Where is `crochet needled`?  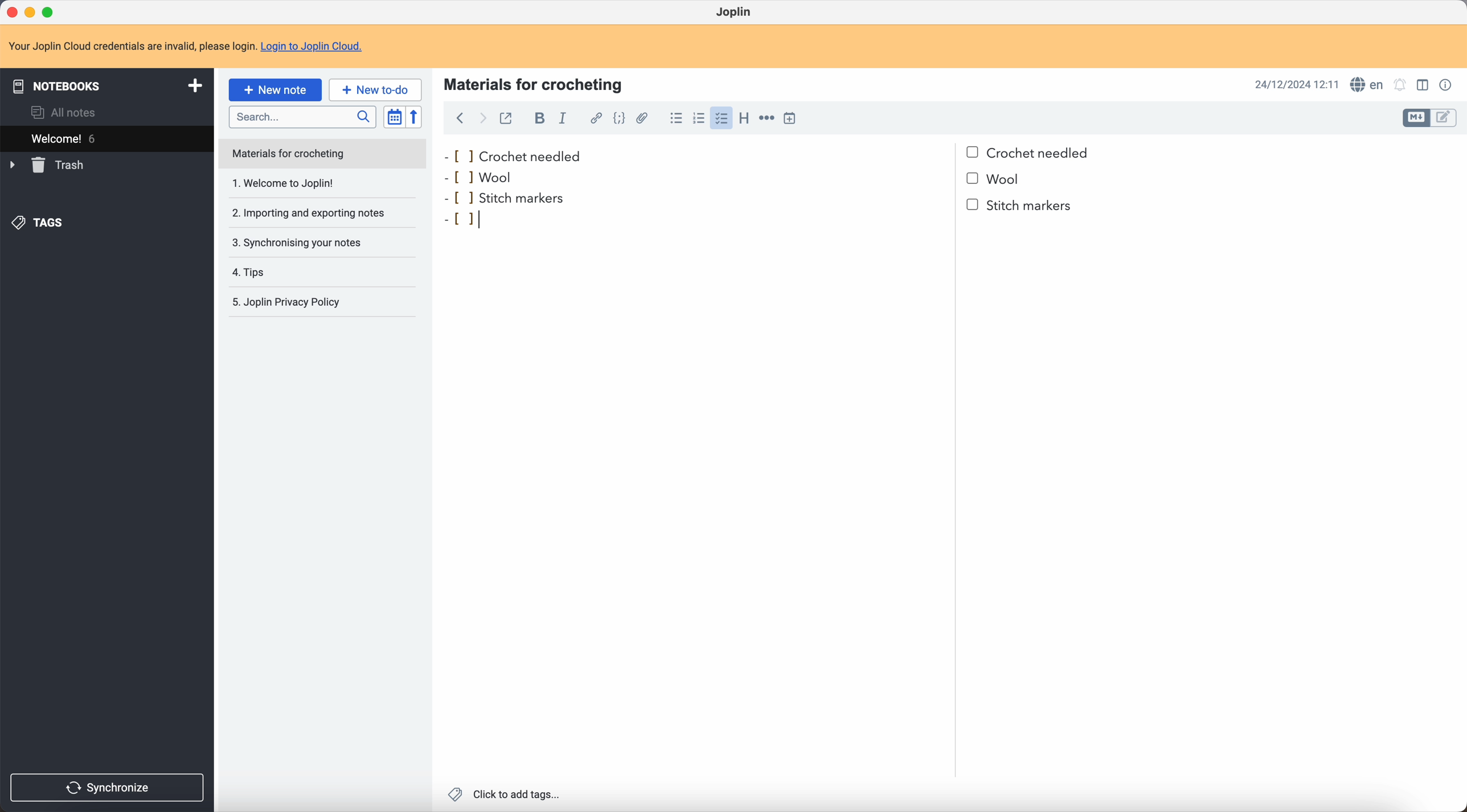 crochet needled is located at coordinates (769, 151).